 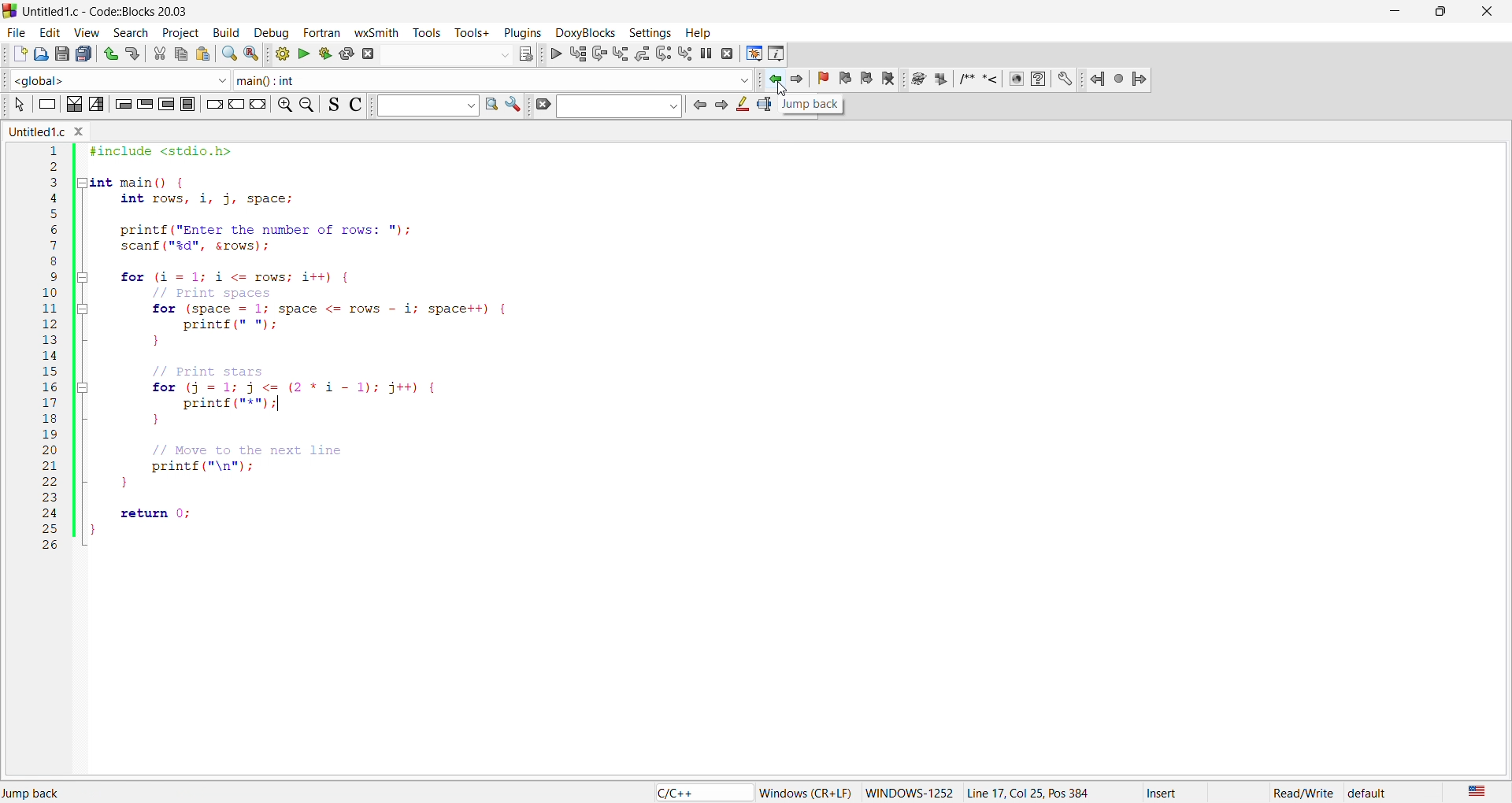 I want to click on windows, so click(x=913, y=790).